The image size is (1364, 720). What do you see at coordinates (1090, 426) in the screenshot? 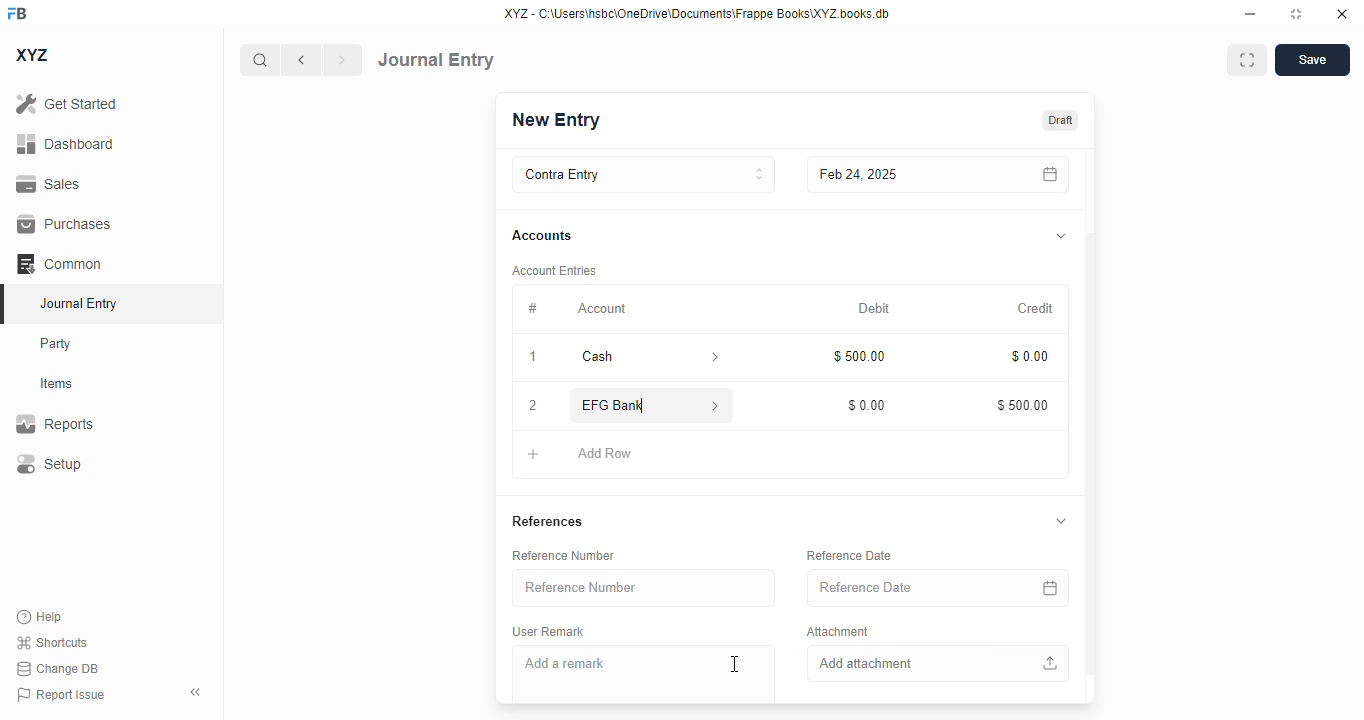
I see `vertical scroll bar` at bounding box center [1090, 426].